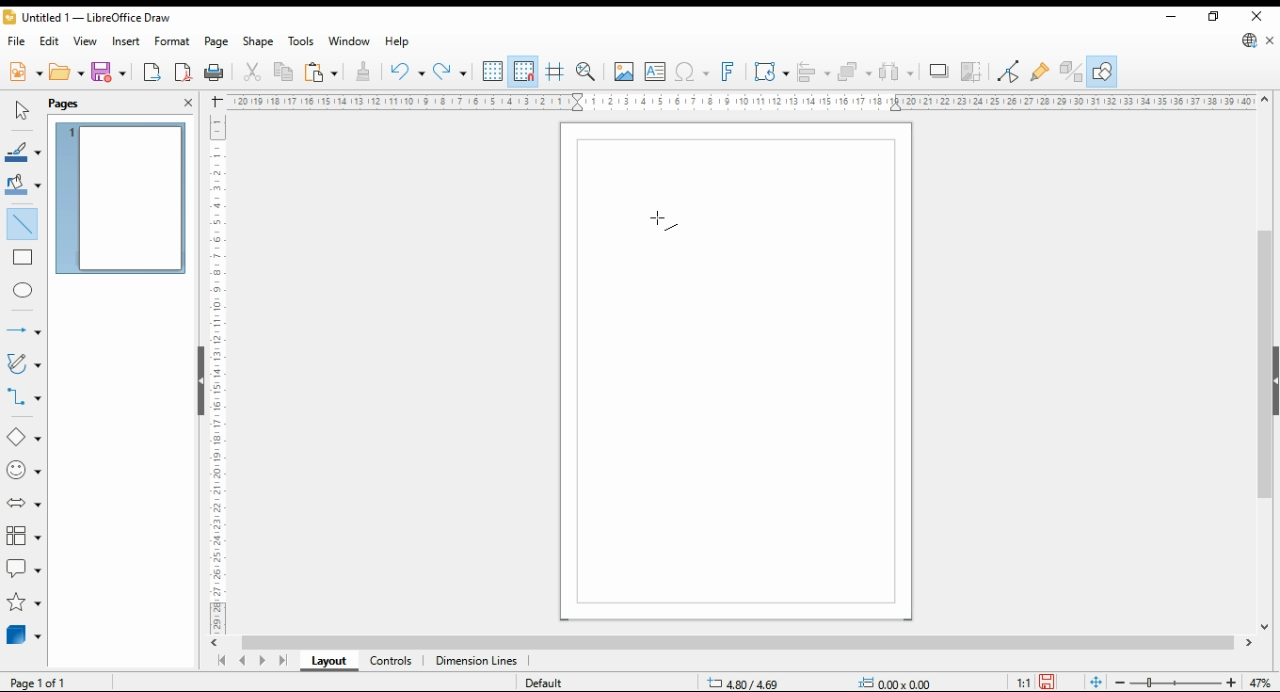 This screenshot has width=1280, height=692. What do you see at coordinates (364, 72) in the screenshot?
I see `copy formatting` at bounding box center [364, 72].